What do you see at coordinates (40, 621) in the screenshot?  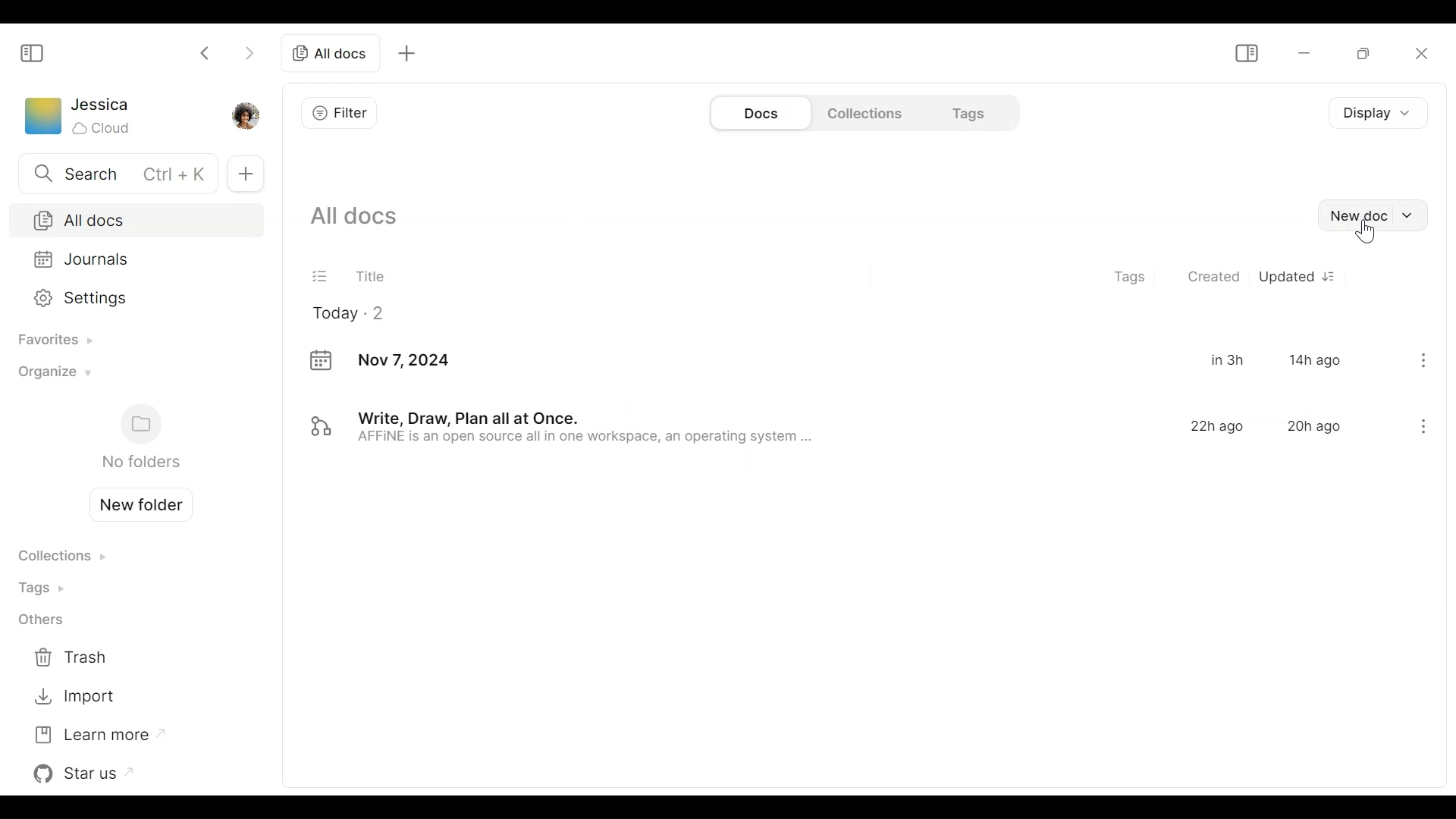 I see `Others` at bounding box center [40, 621].